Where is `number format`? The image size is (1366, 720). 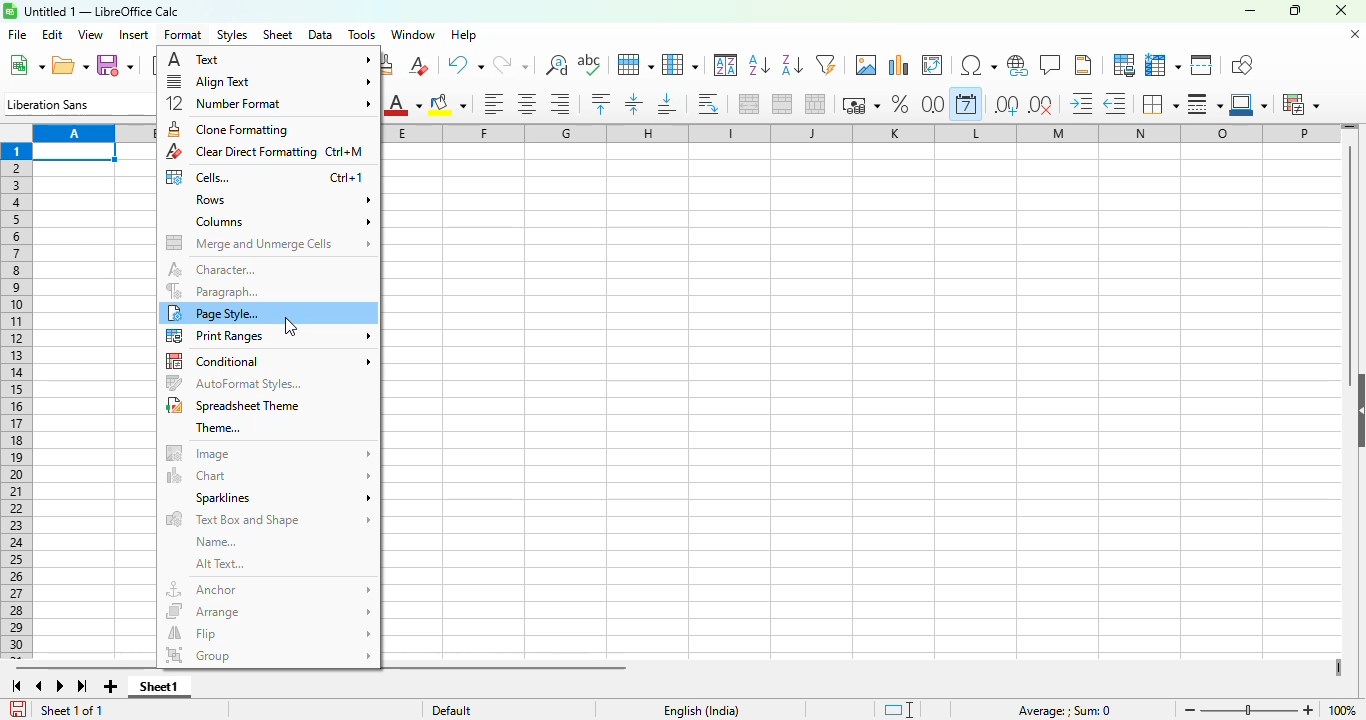
number format is located at coordinates (269, 103).